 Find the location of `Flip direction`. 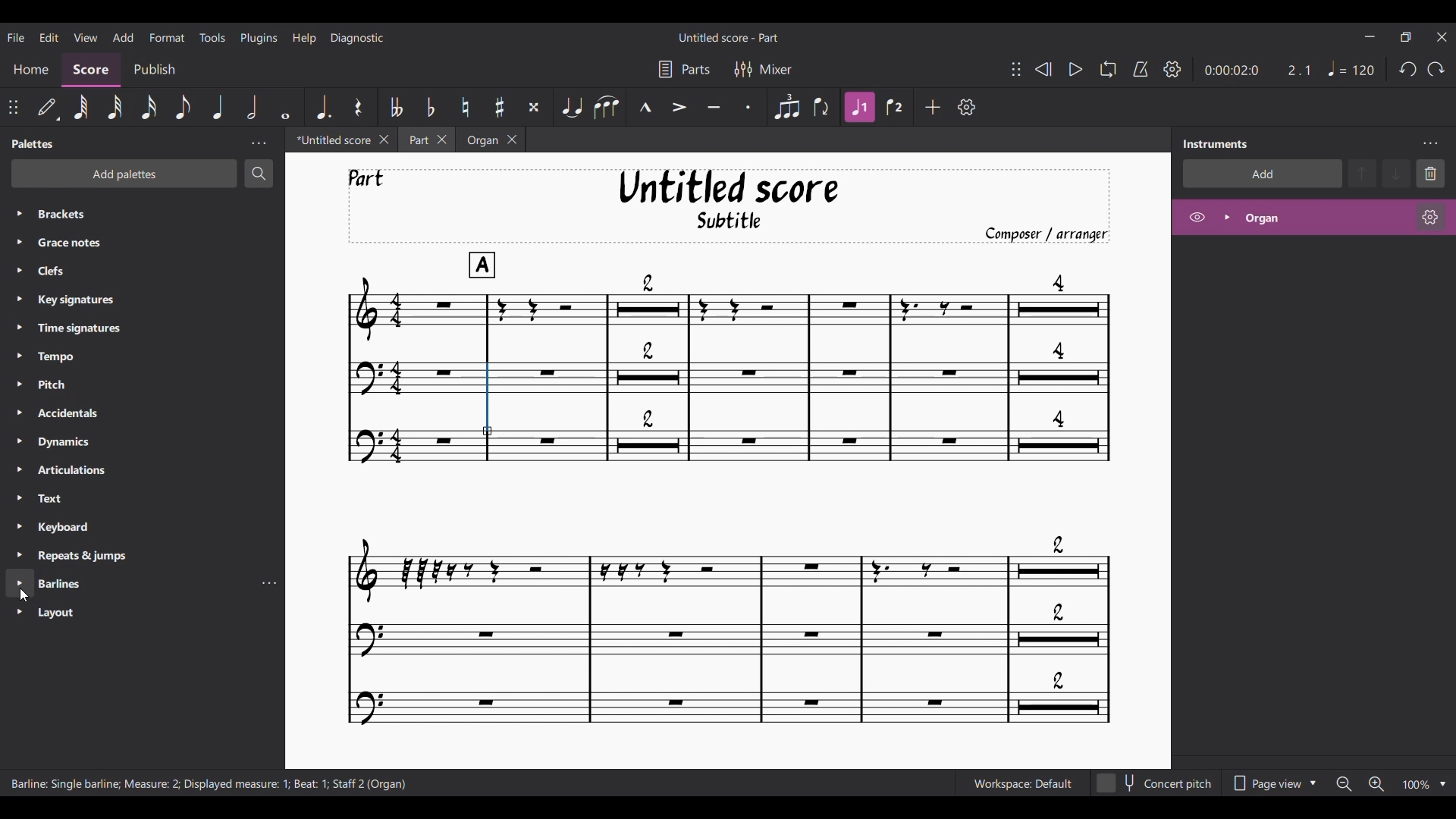

Flip direction is located at coordinates (822, 107).